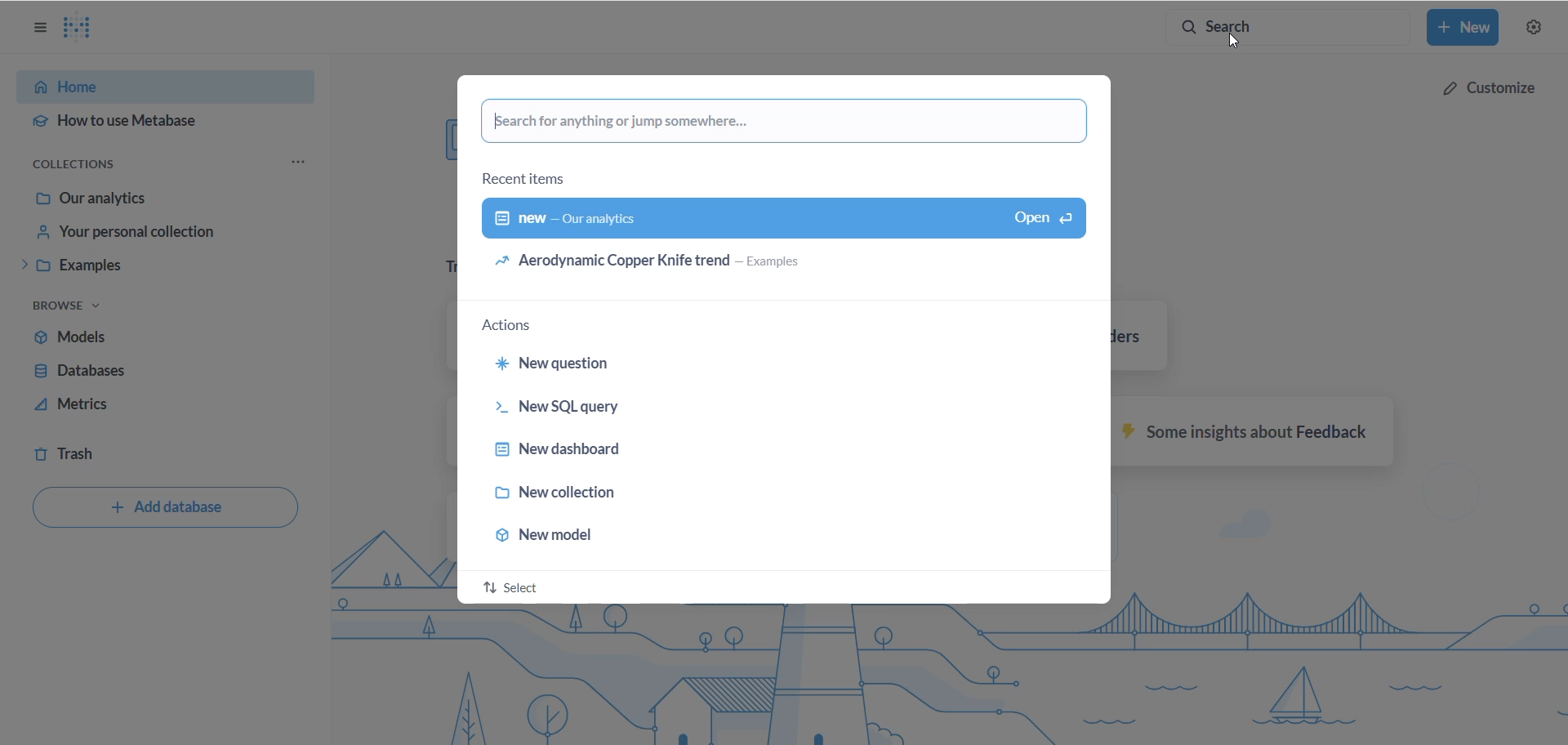 Image resolution: width=1568 pixels, height=745 pixels. I want to click on search button, so click(1297, 25).